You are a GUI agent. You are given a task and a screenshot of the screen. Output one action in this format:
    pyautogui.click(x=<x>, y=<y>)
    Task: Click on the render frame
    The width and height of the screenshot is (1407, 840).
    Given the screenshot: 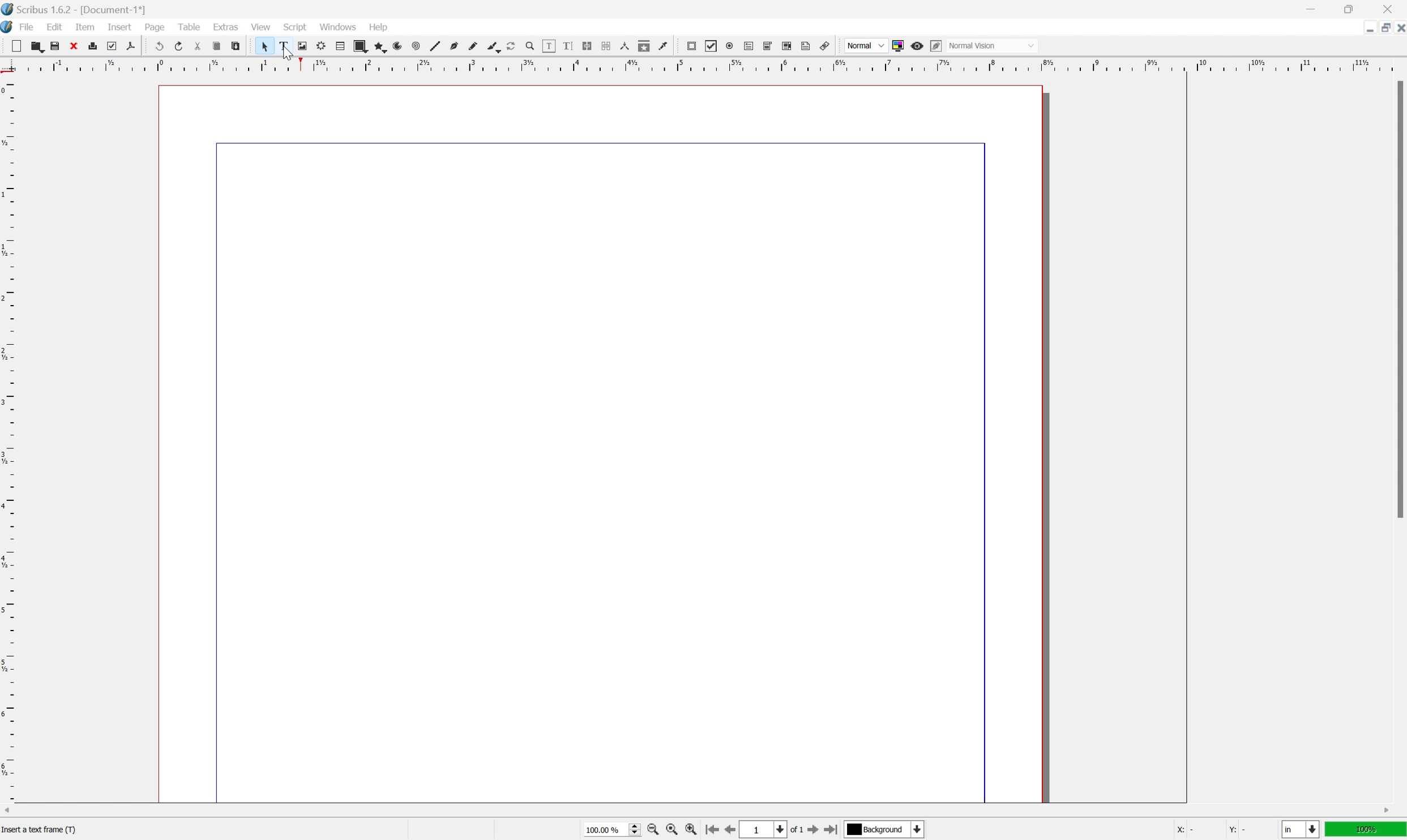 What is the action you would take?
    pyautogui.click(x=320, y=45)
    